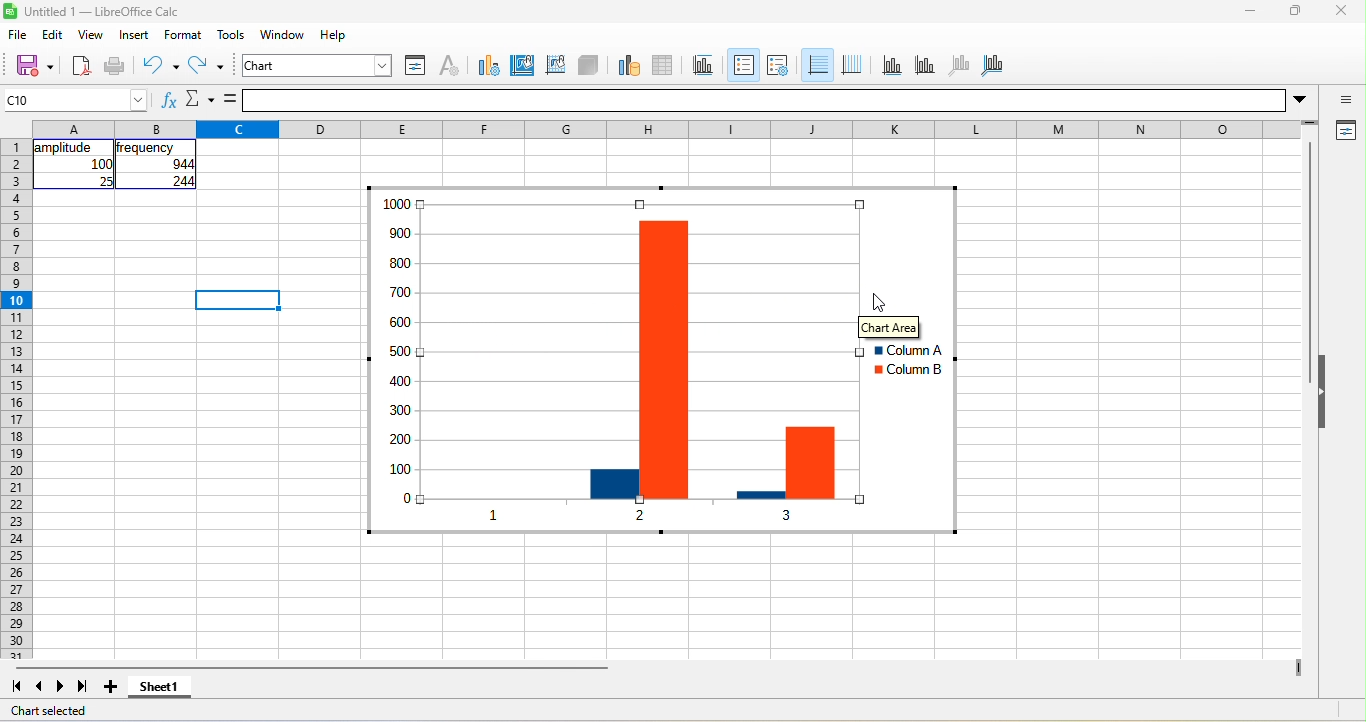 This screenshot has width=1366, height=722. What do you see at coordinates (180, 182) in the screenshot?
I see `244` at bounding box center [180, 182].